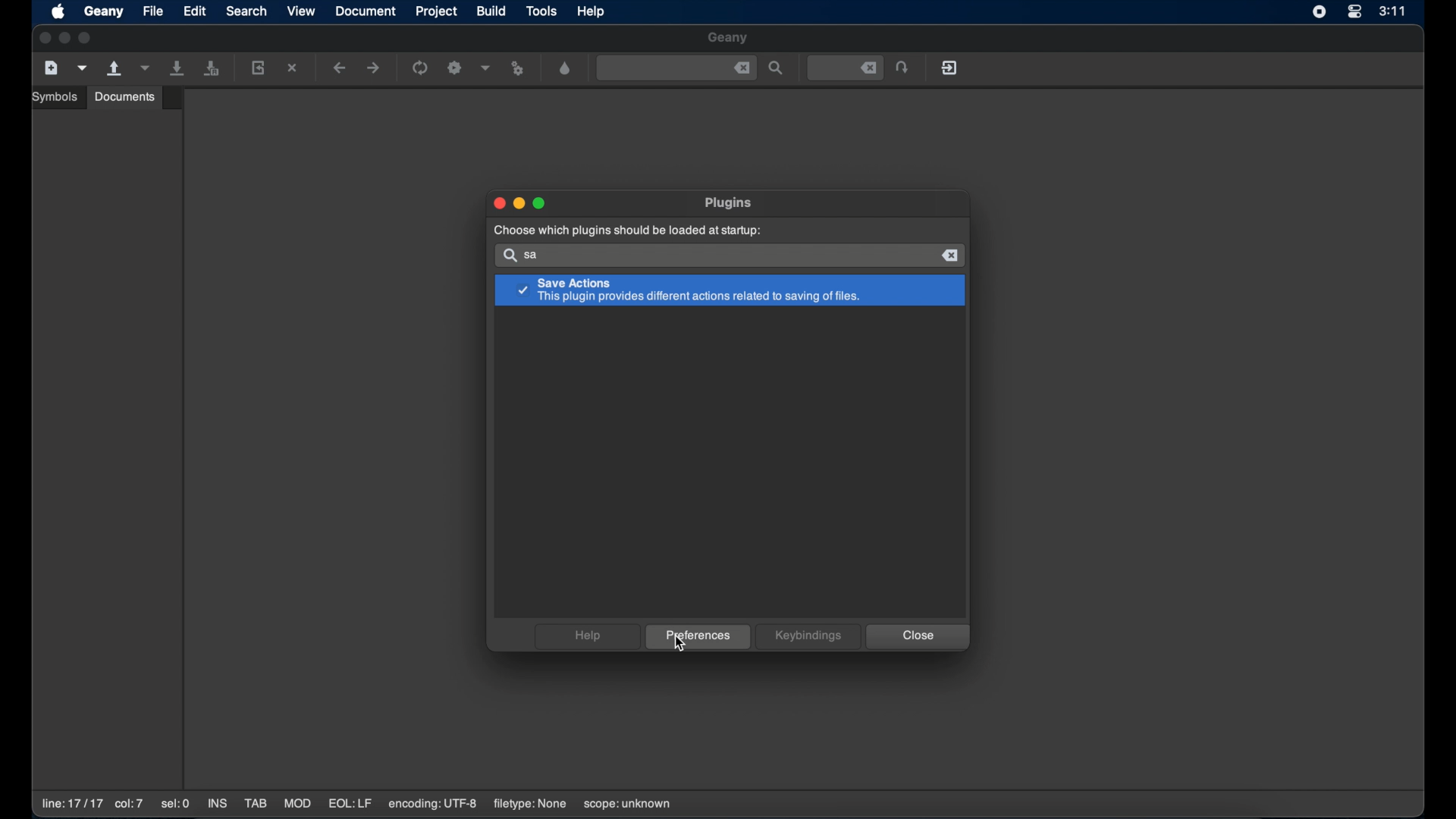 Image resolution: width=1456 pixels, height=819 pixels. What do you see at coordinates (71, 804) in the screenshot?
I see `line:17/17` at bounding box center [71, 804].